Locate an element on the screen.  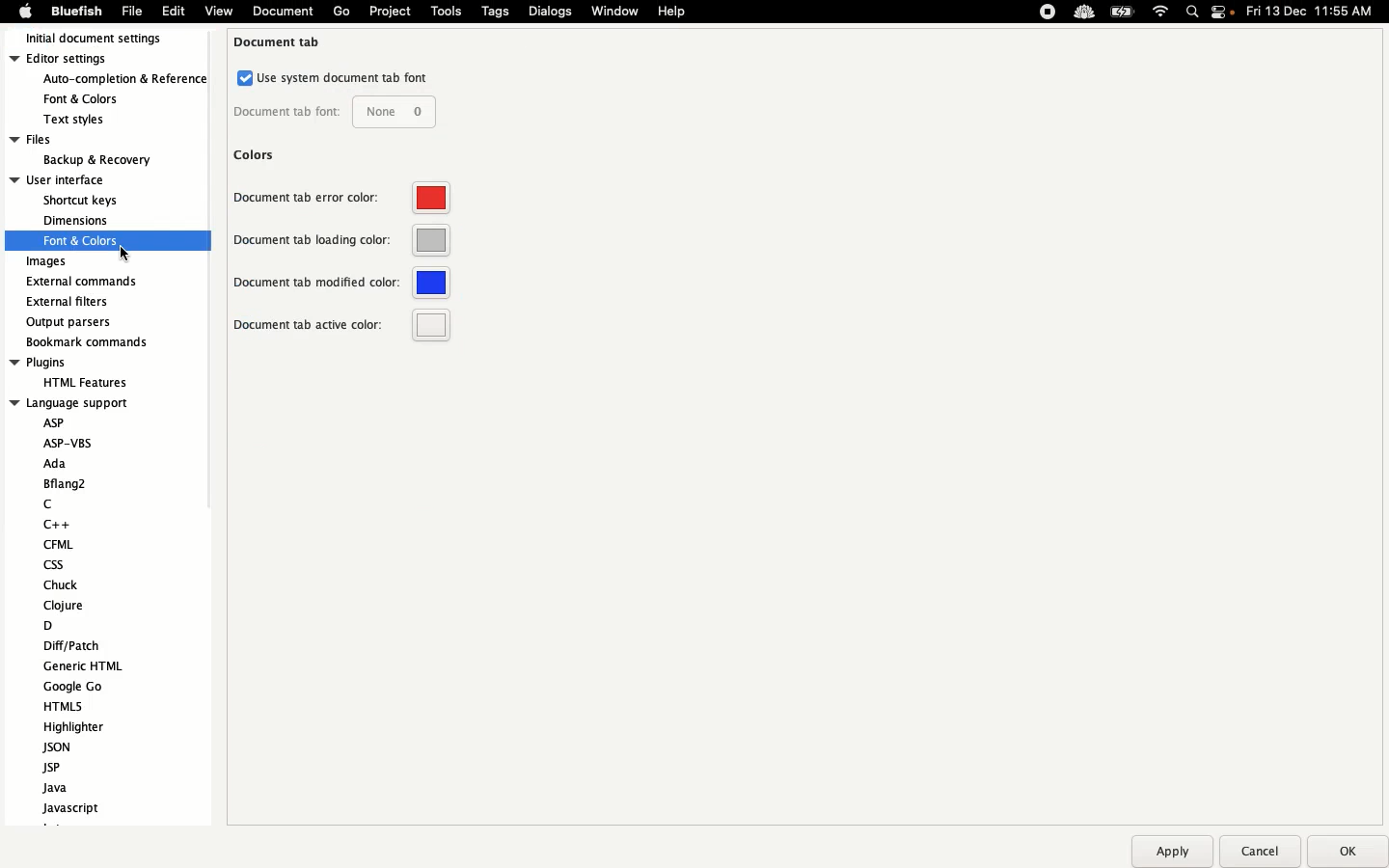
Charge is located at coordinates (1122, 14).